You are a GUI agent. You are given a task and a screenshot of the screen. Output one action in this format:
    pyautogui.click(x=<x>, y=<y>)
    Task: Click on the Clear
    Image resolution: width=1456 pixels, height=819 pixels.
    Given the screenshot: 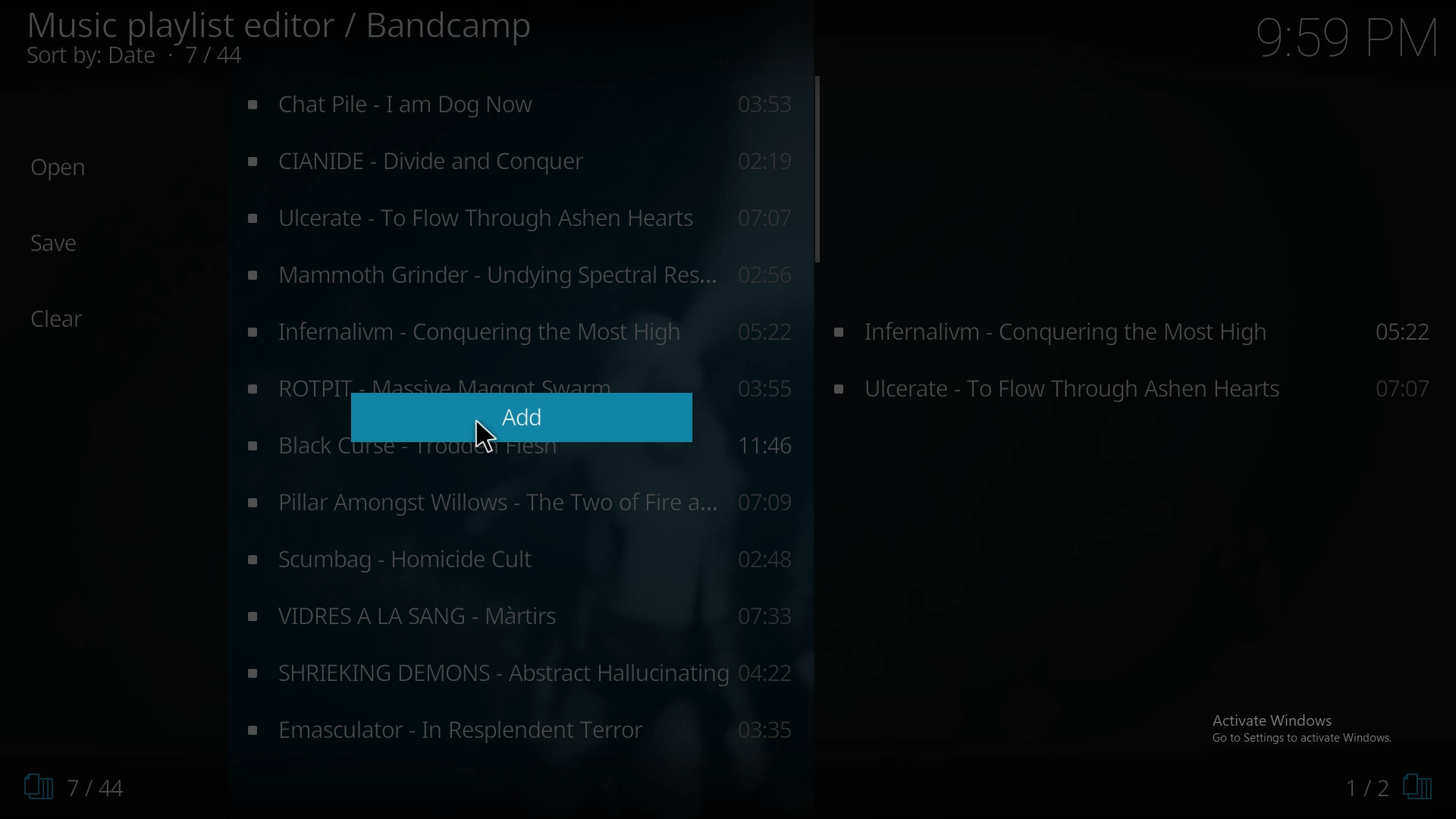 What is the action you would take?
    pyautogui.click(x=66, y=319)
    